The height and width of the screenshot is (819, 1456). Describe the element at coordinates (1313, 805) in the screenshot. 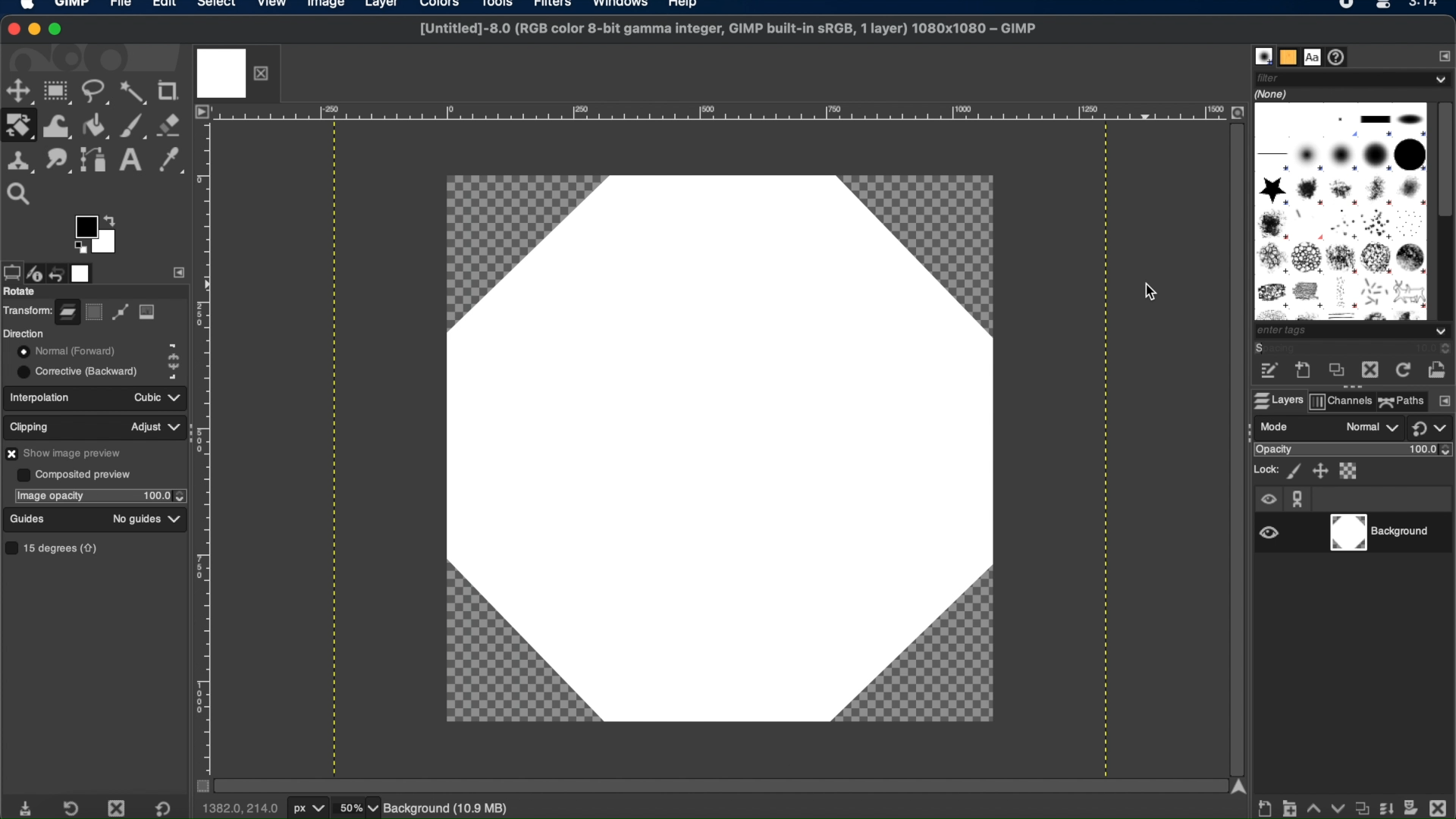

I see `raise this layer` at that location.